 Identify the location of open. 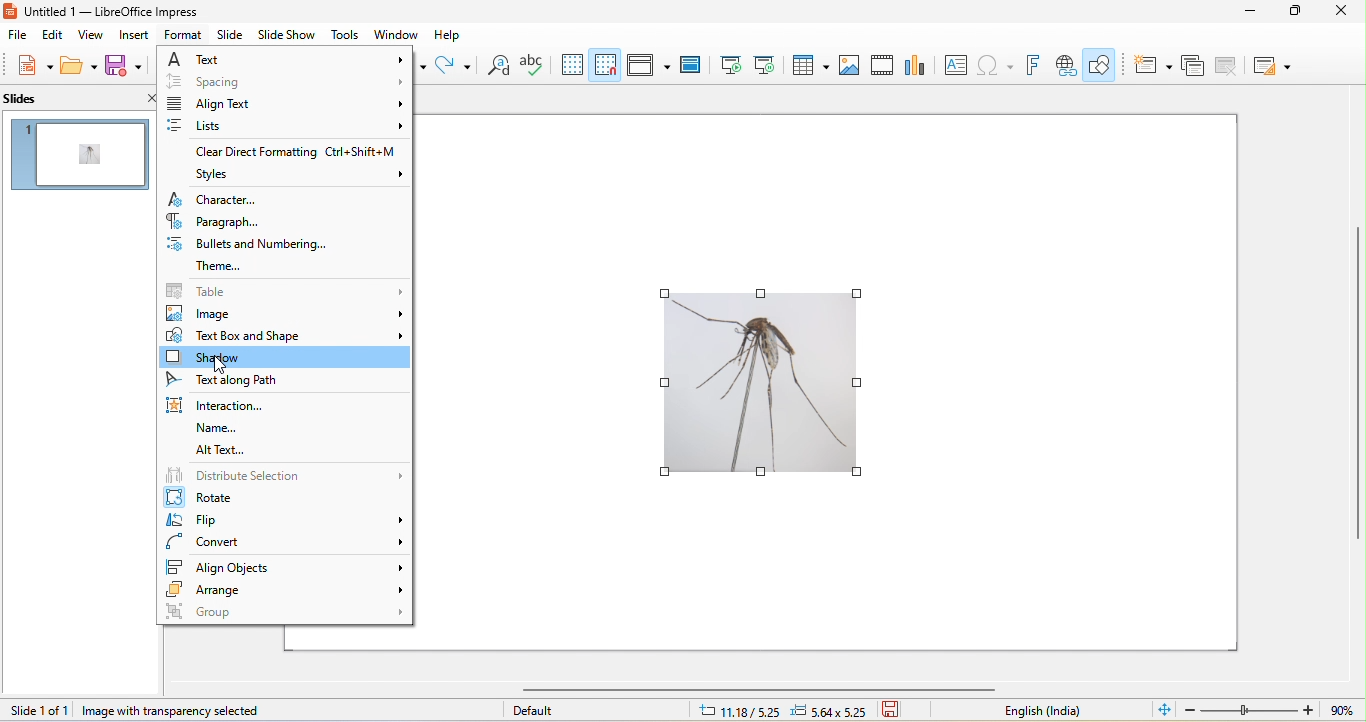
(79, 65).